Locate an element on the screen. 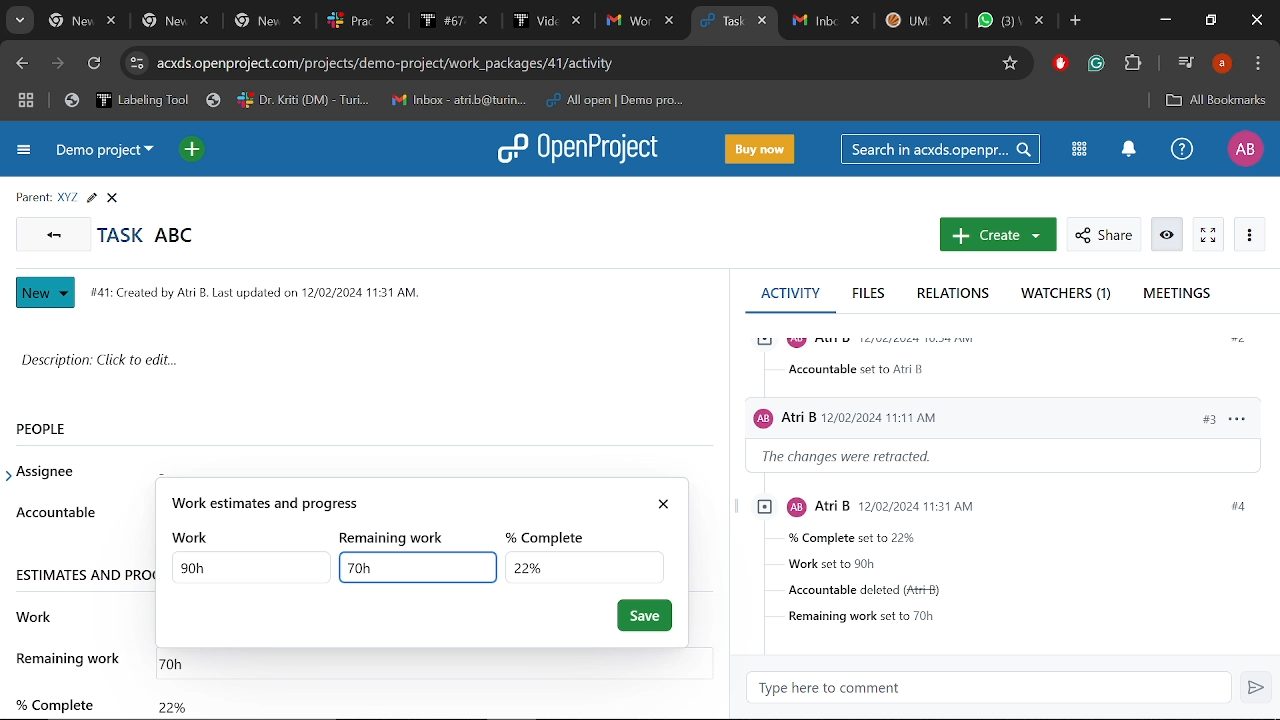 The image size is (1280, 720). Profile is located at coordinates (1221, 64).